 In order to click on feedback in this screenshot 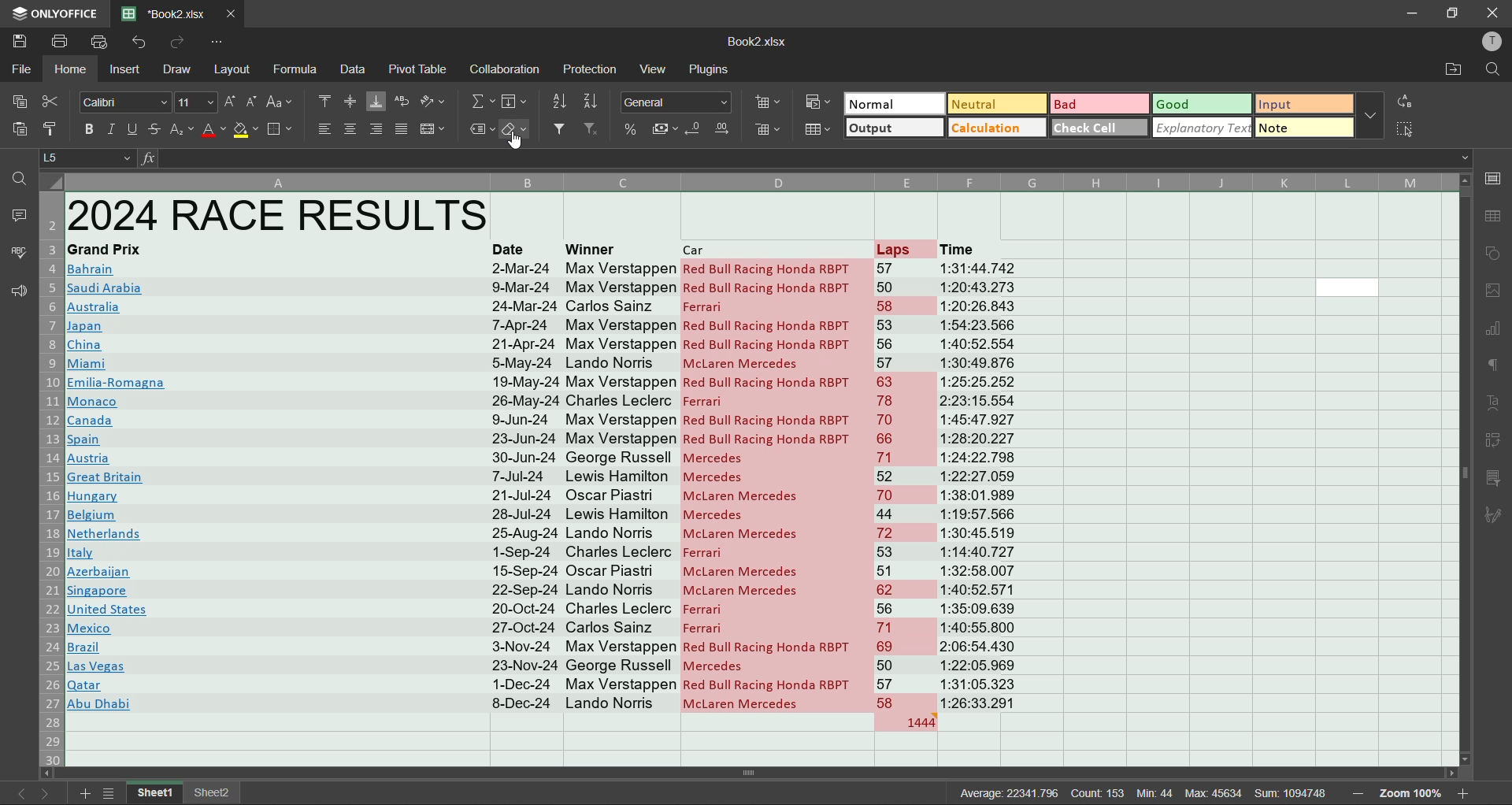, I will do `click(17, 291)`.